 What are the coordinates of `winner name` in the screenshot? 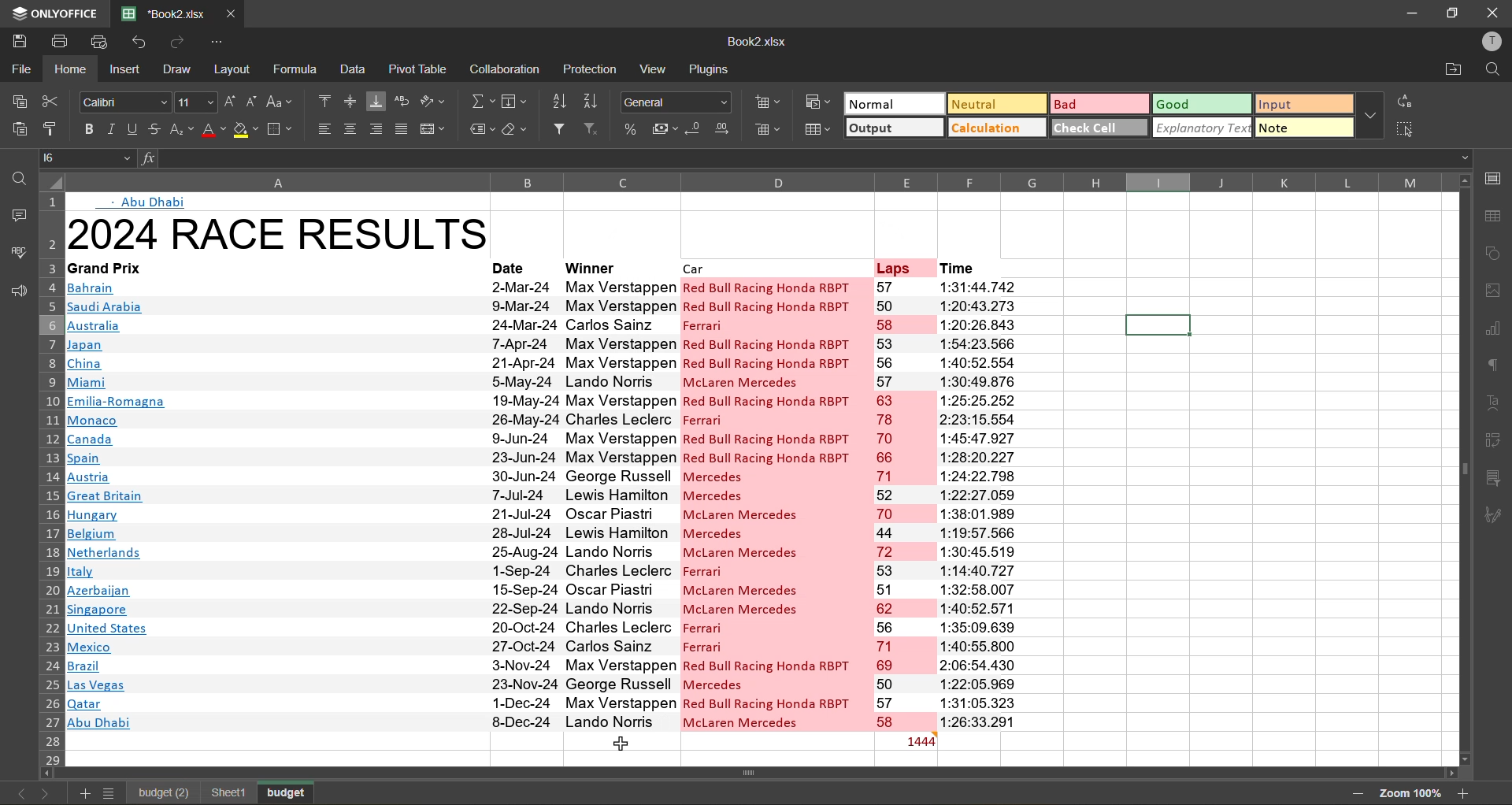 It's located at (618, 504).